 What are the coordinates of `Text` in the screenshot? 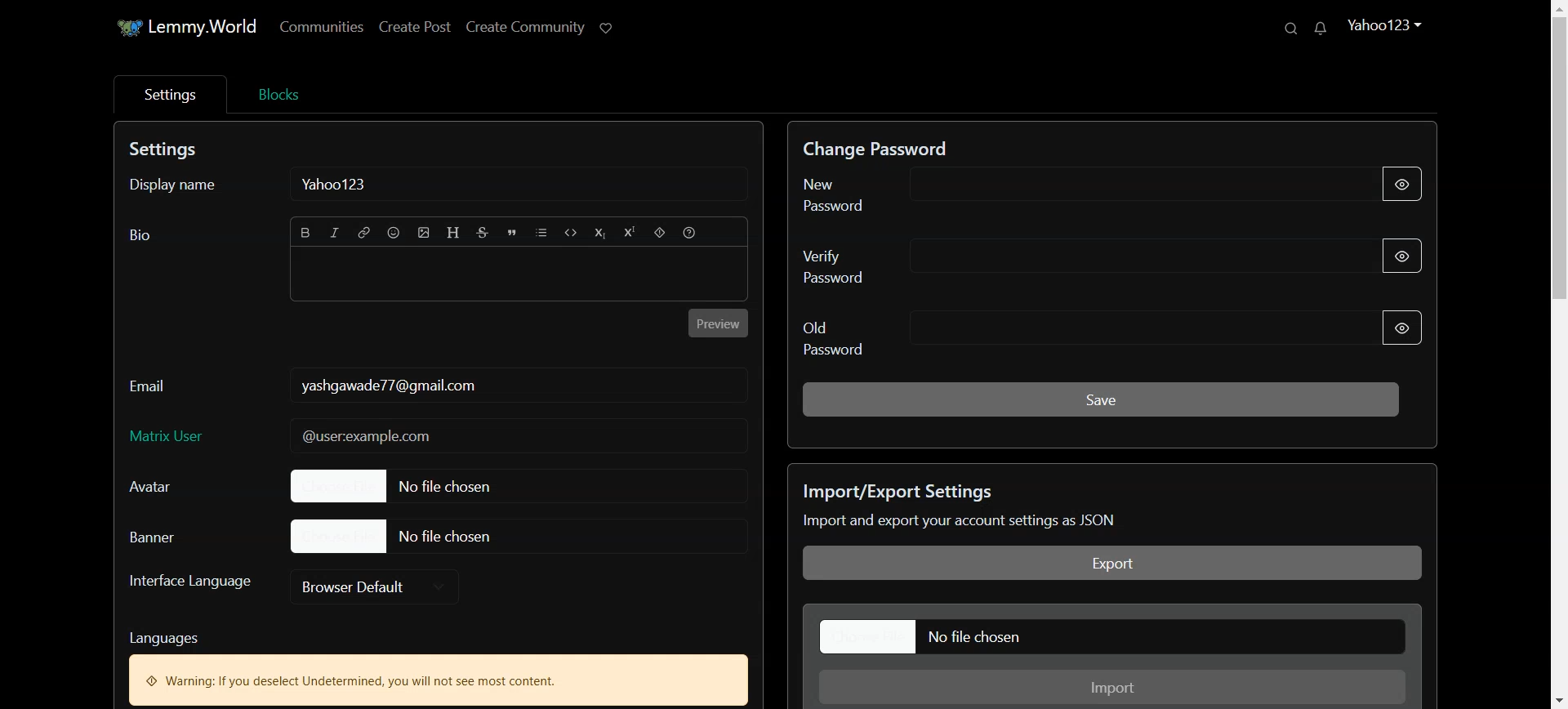 It's located at (337, 185).